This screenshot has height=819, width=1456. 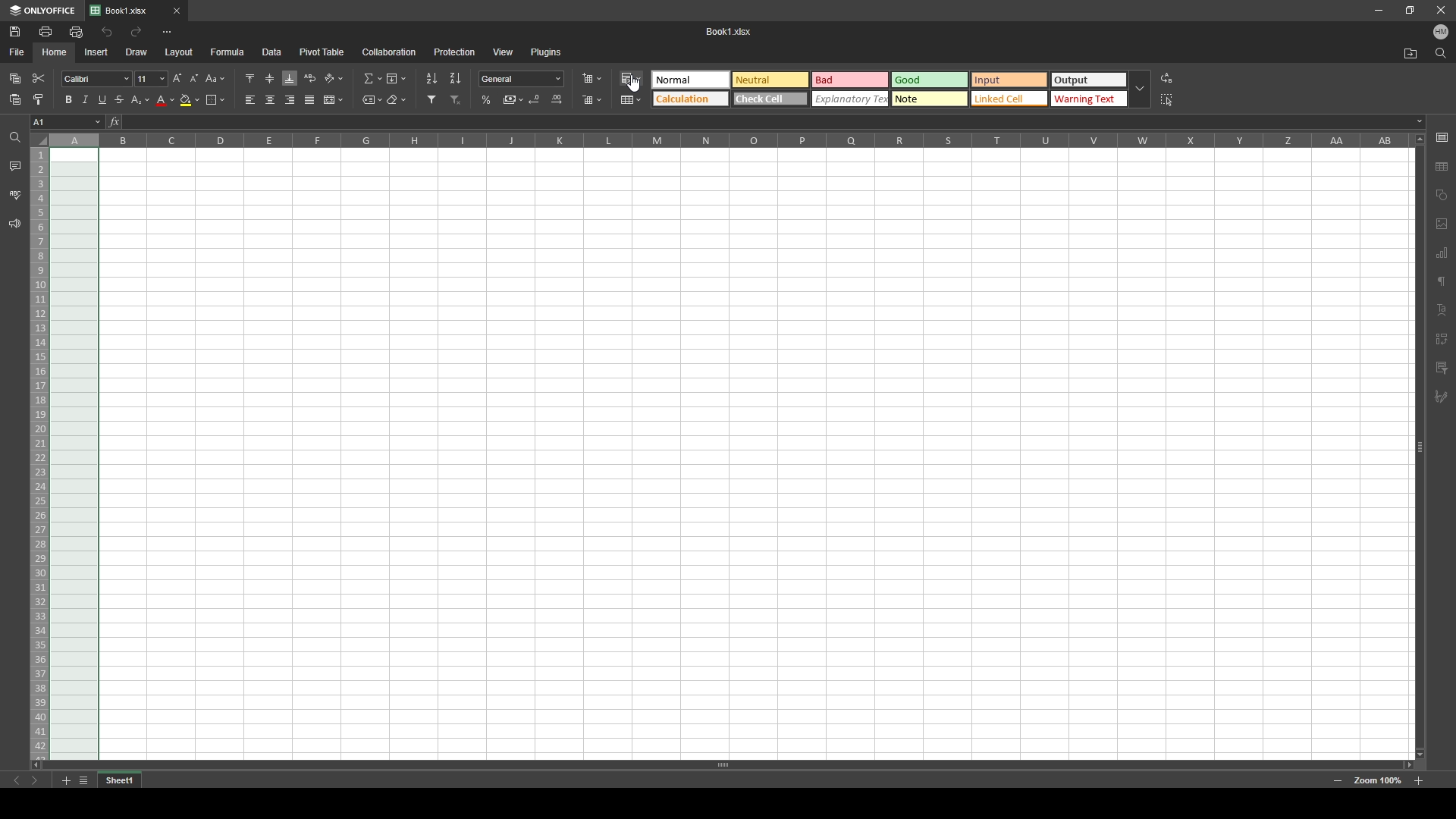 What do you see at coordinates (216, 78) in the screenshot?
I see `change case` at bounding box center [216, 78].